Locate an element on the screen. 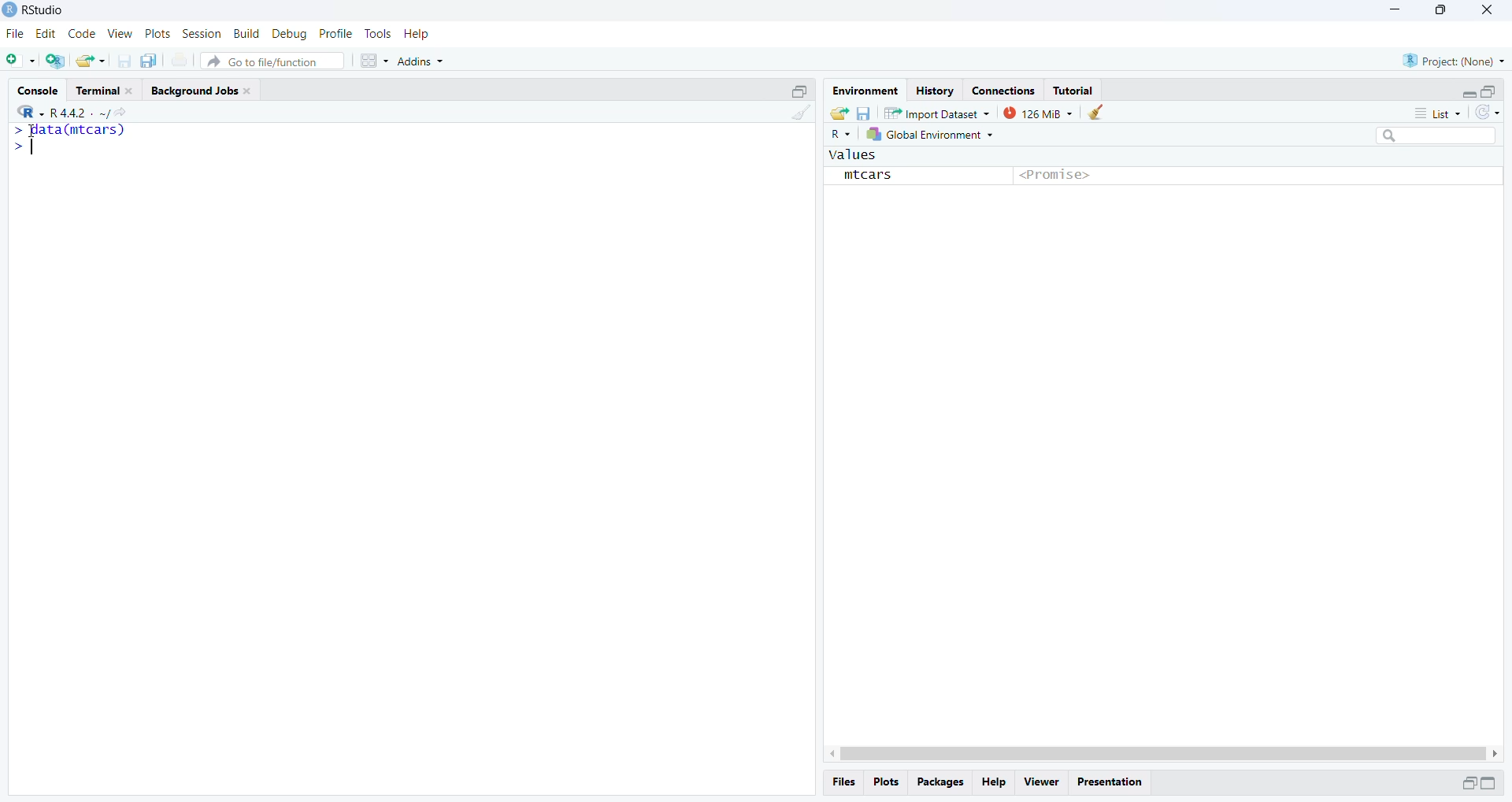  save current document is located at coordinates (124, 60).